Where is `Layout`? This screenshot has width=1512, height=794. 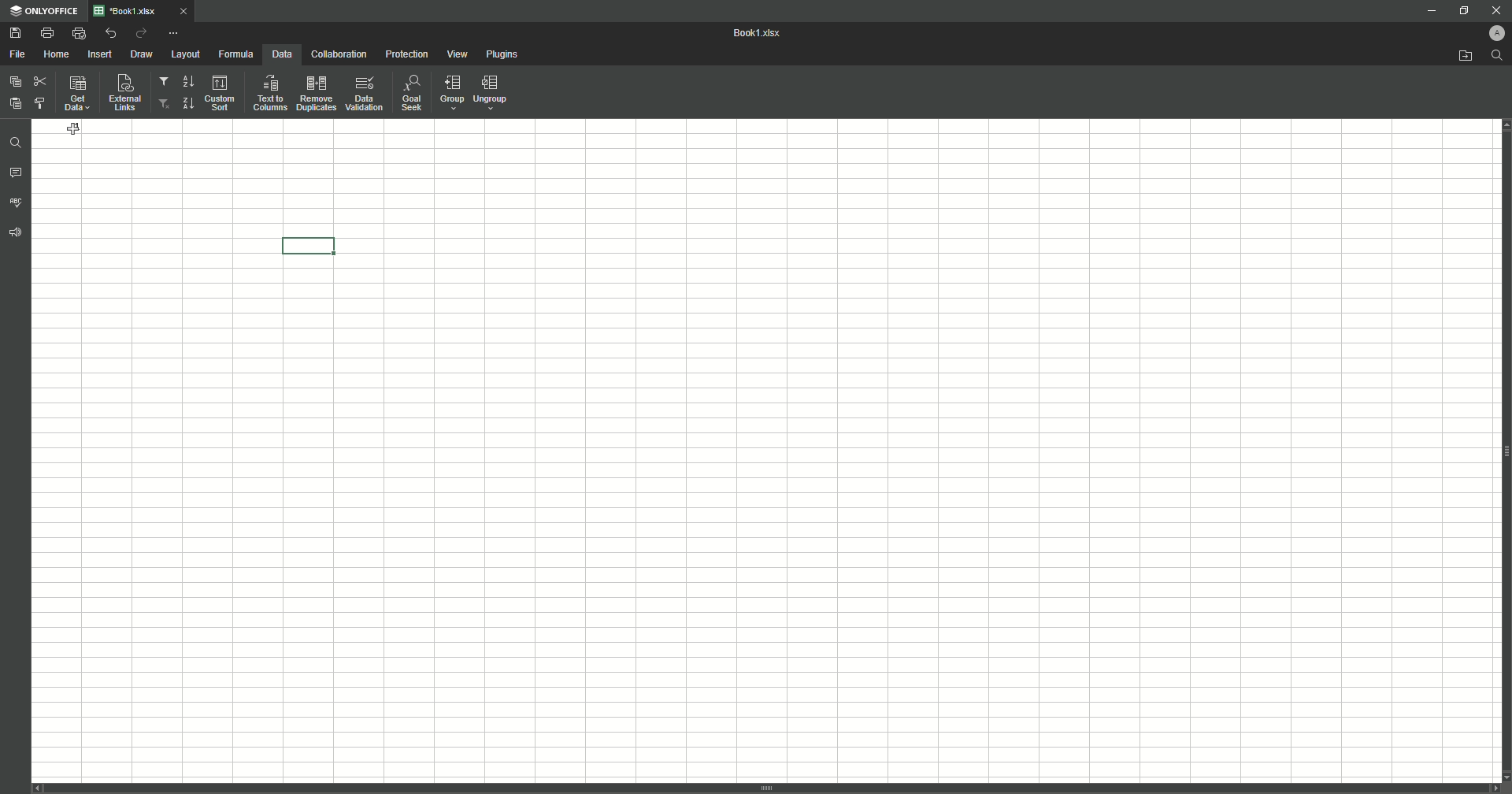 Layout is located at coordinates (185, 54).